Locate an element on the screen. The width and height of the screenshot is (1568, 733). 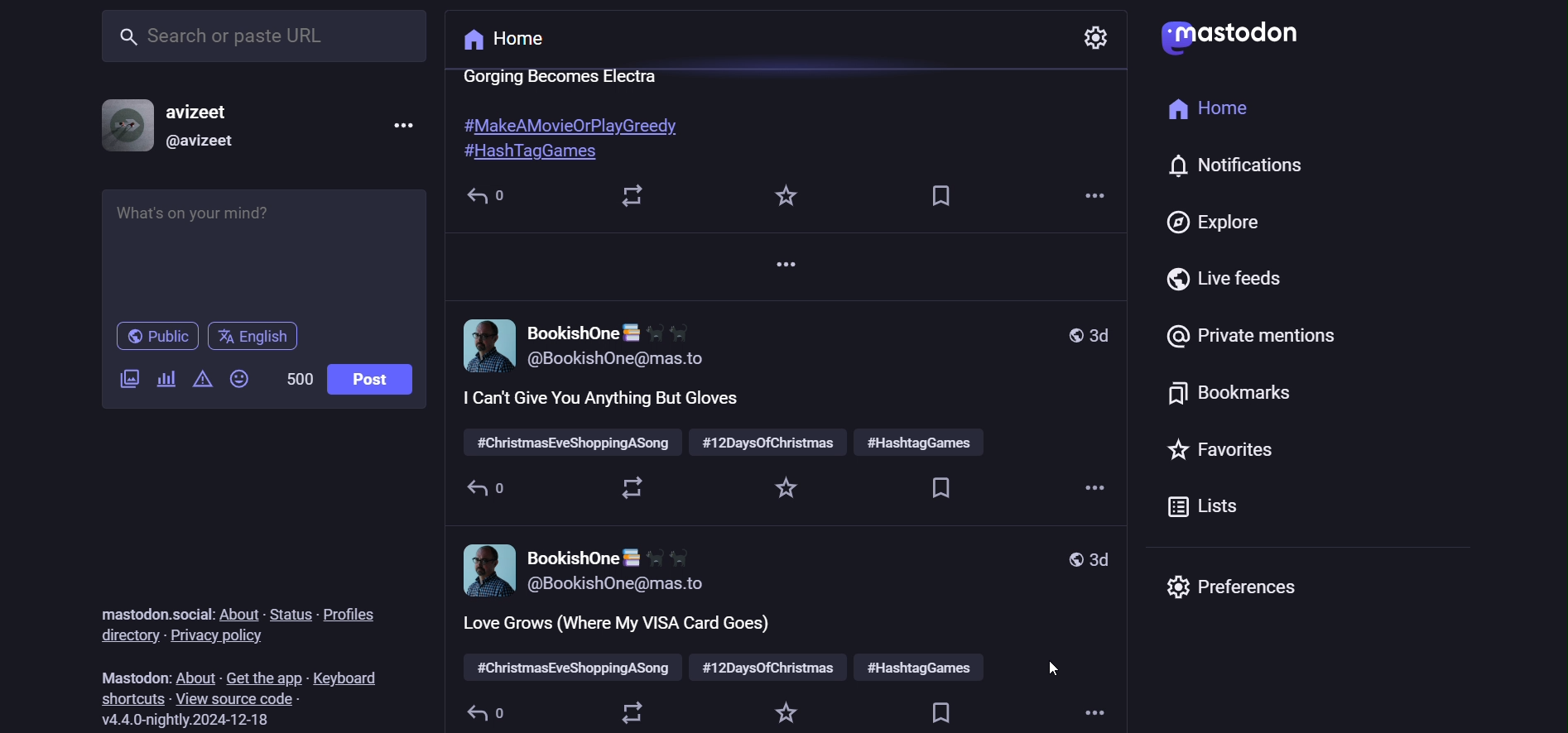
emoji is located at coordinates (239, 381).